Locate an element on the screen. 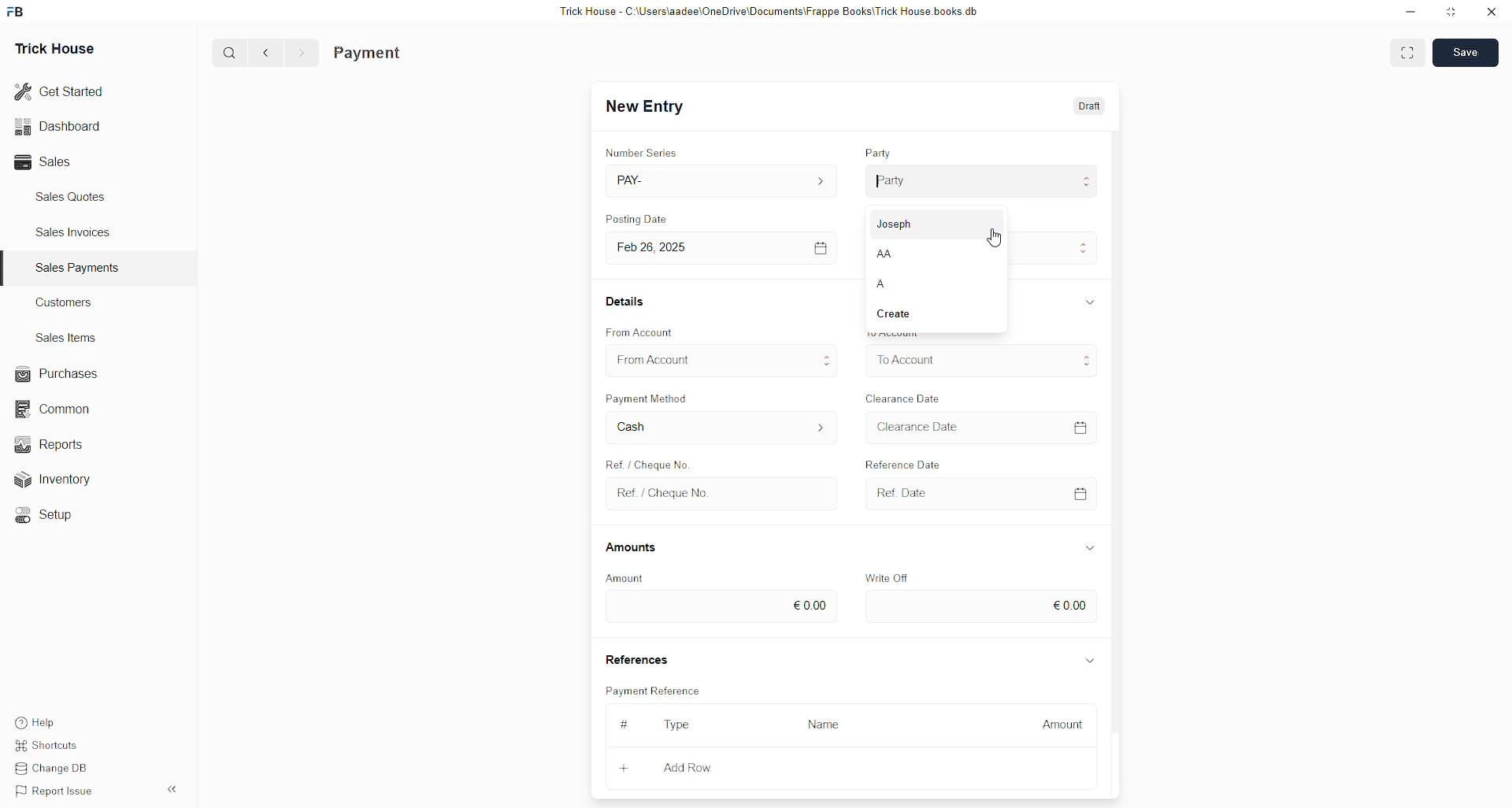 The width and height of the screenshot is (1512, 808). Payment Reference is located at coordinates (656, 689).